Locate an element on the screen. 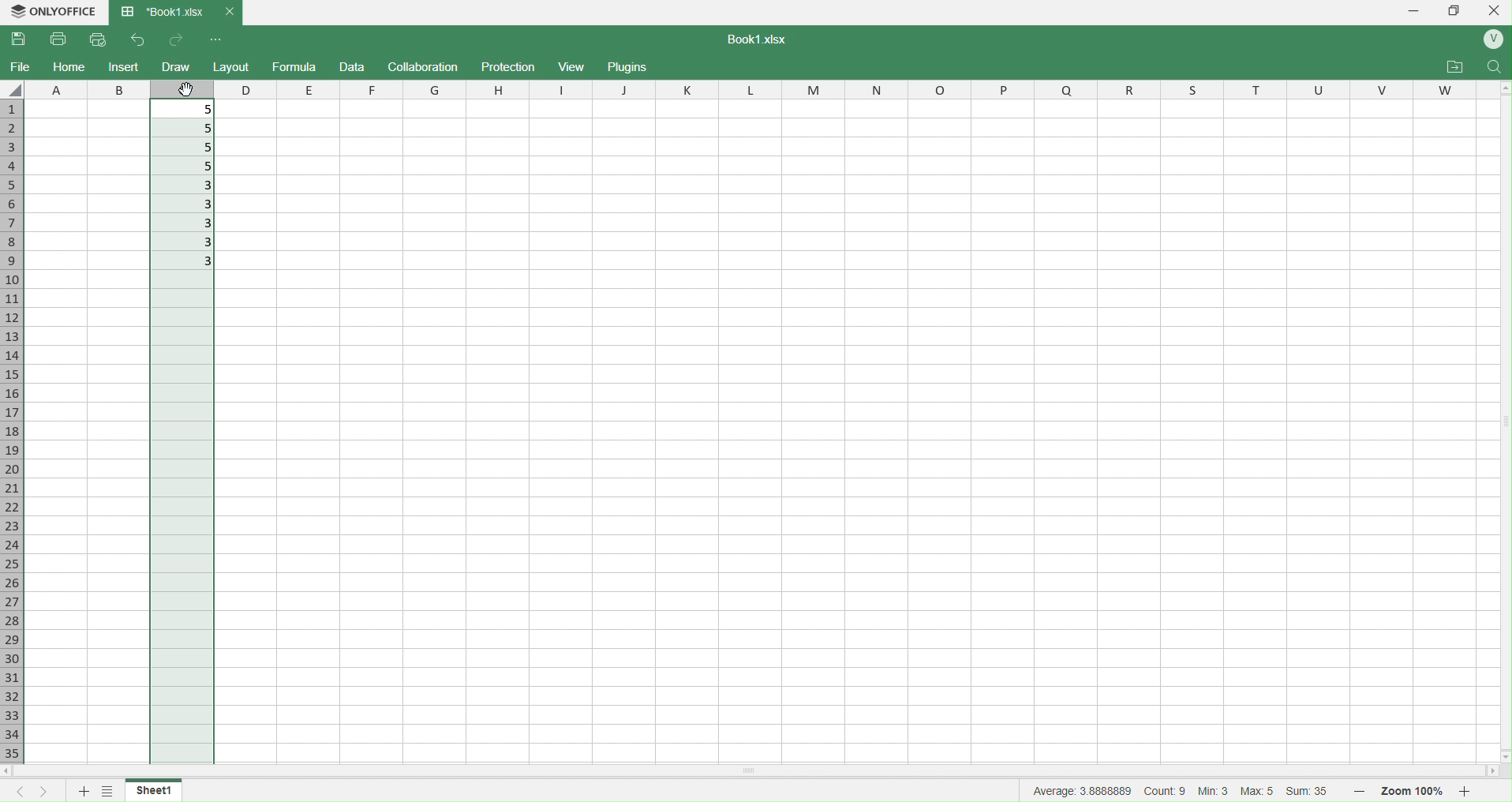  Close is located at coordinates (1496, 10).